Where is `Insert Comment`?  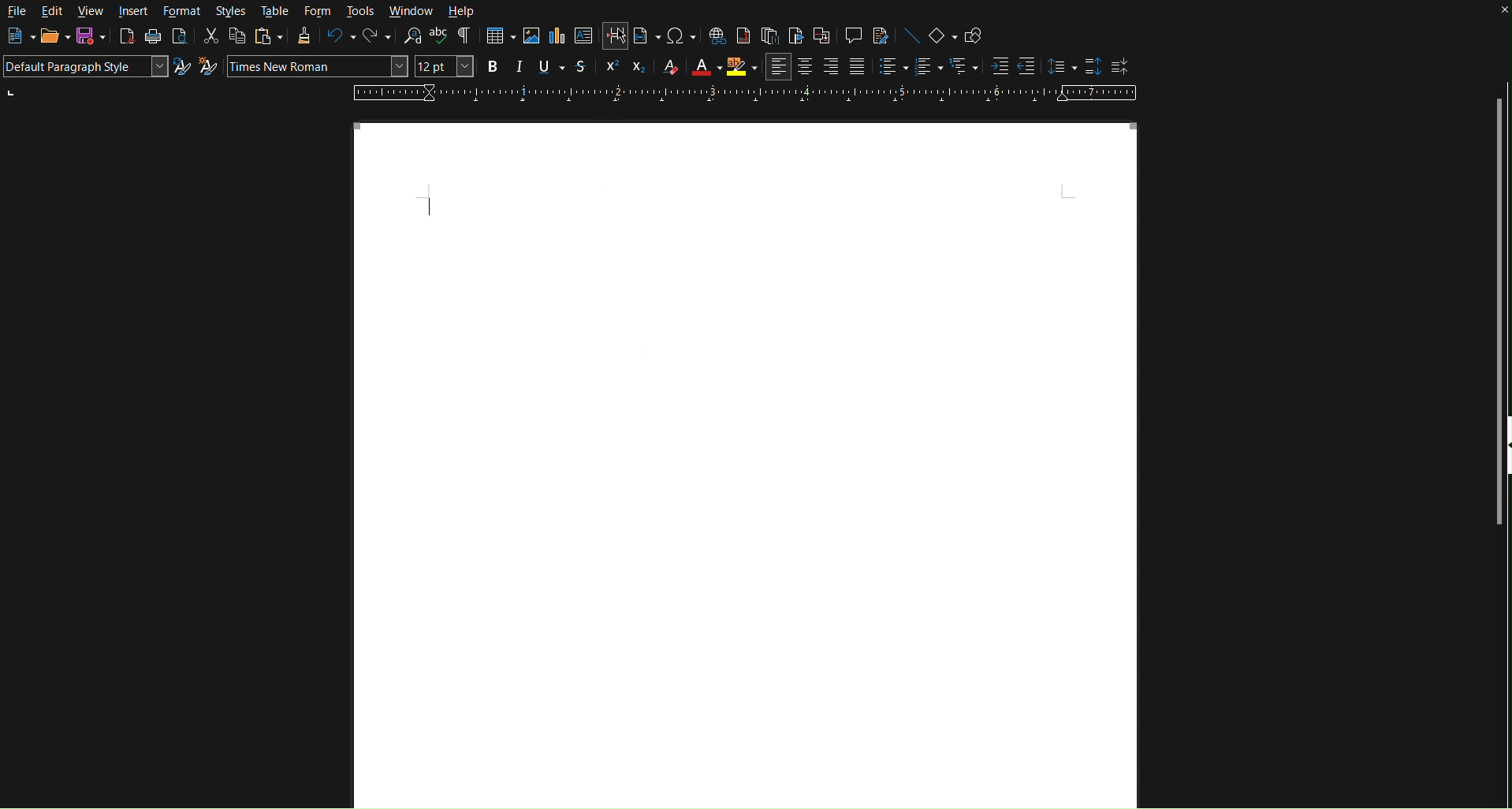
Insert Comment is located at coordinates (852, 35).